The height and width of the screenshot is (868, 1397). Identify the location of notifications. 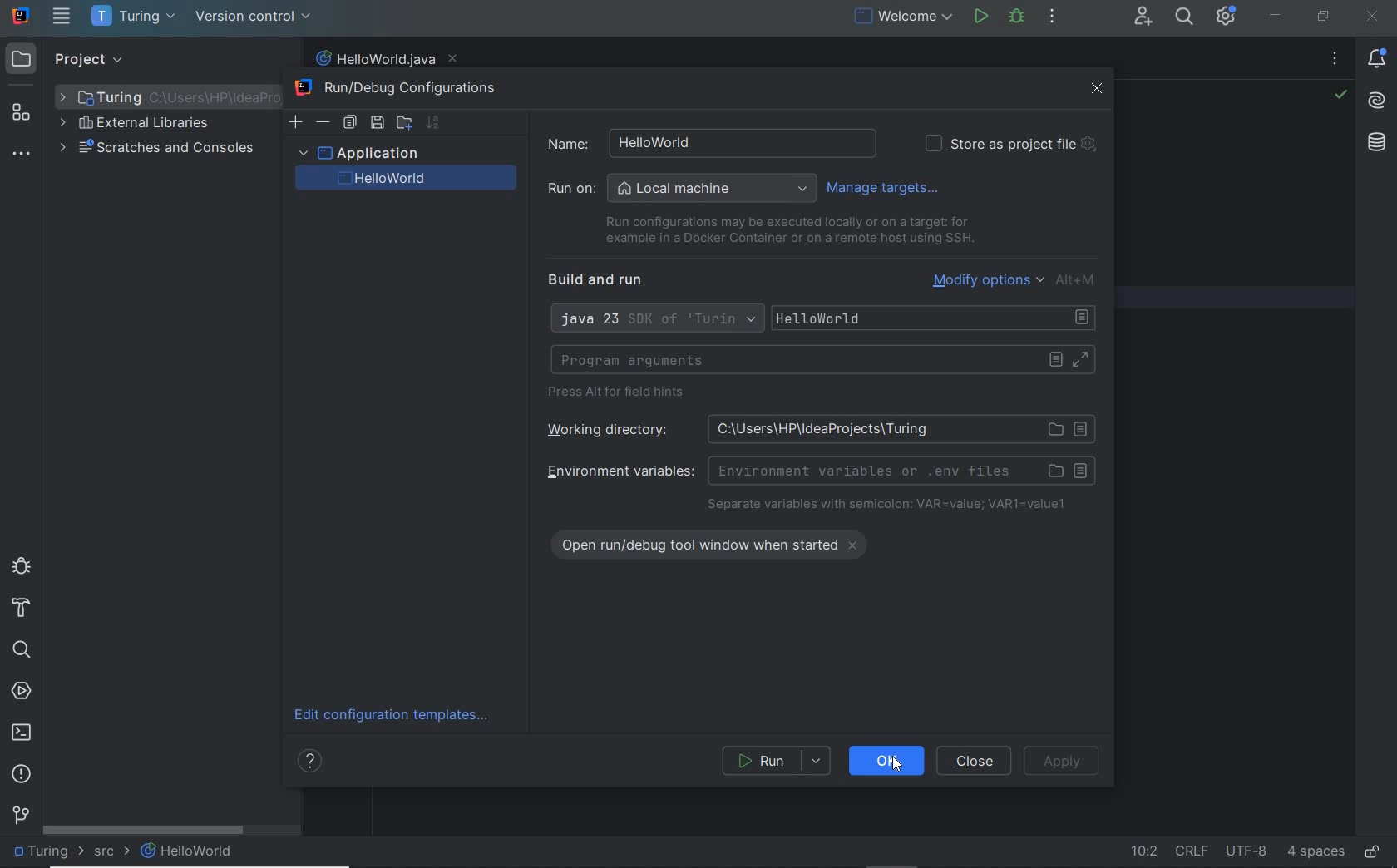
(1380, 60).